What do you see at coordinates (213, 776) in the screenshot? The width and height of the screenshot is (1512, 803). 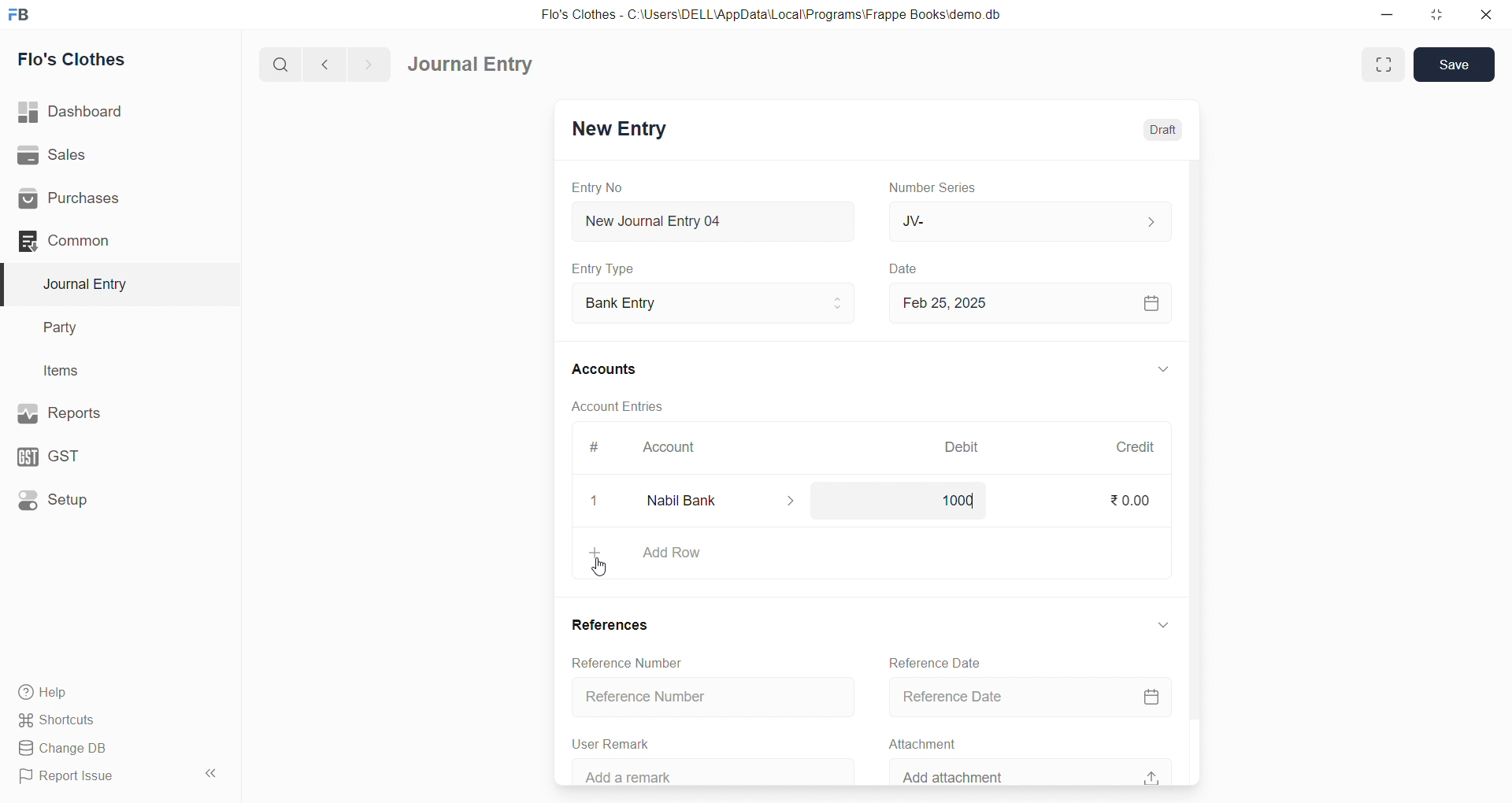 I see `Collapse sidebar` at bounding box center [213, 776].